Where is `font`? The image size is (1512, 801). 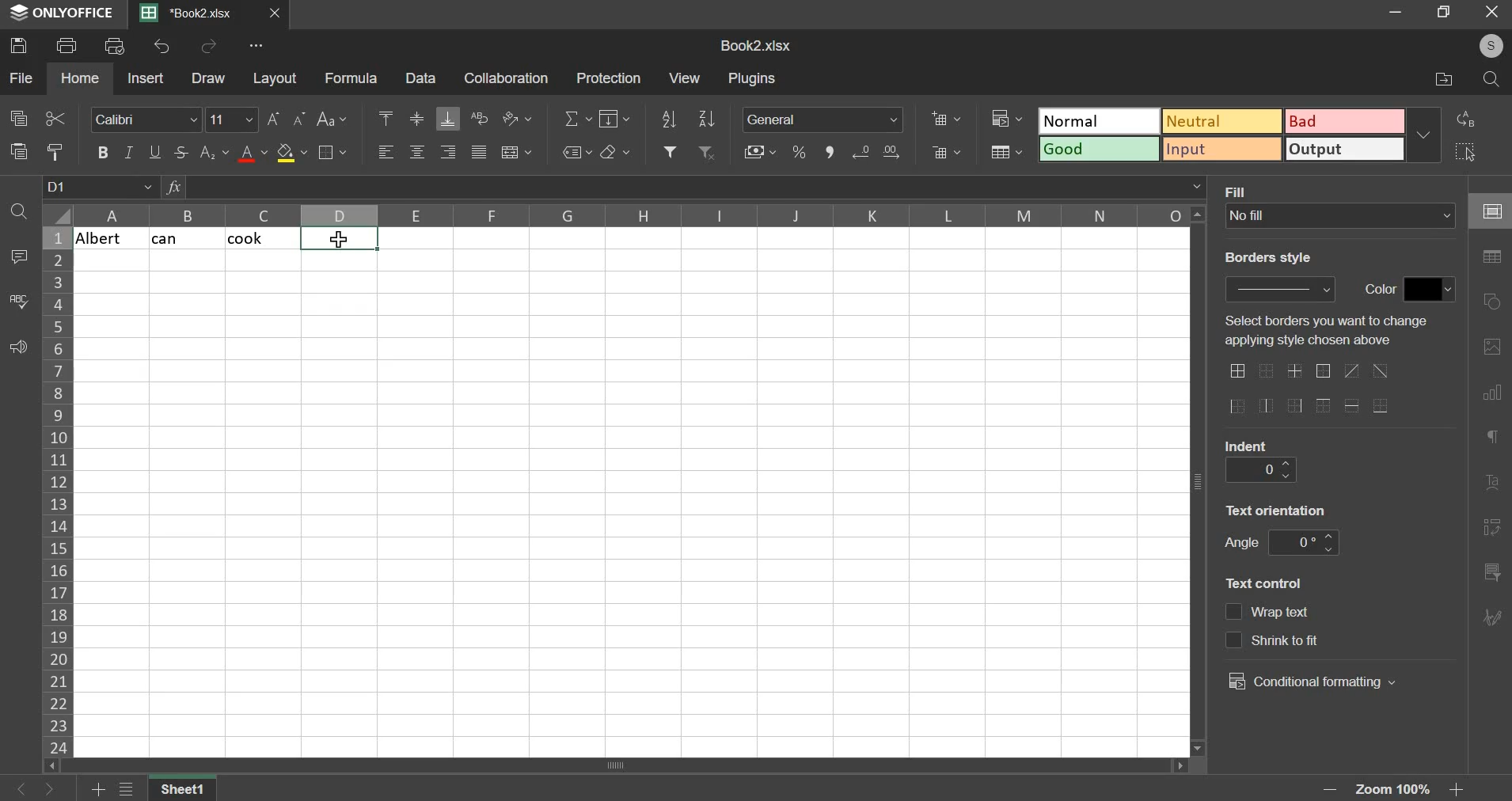
font is located at coordinates (145, 120).